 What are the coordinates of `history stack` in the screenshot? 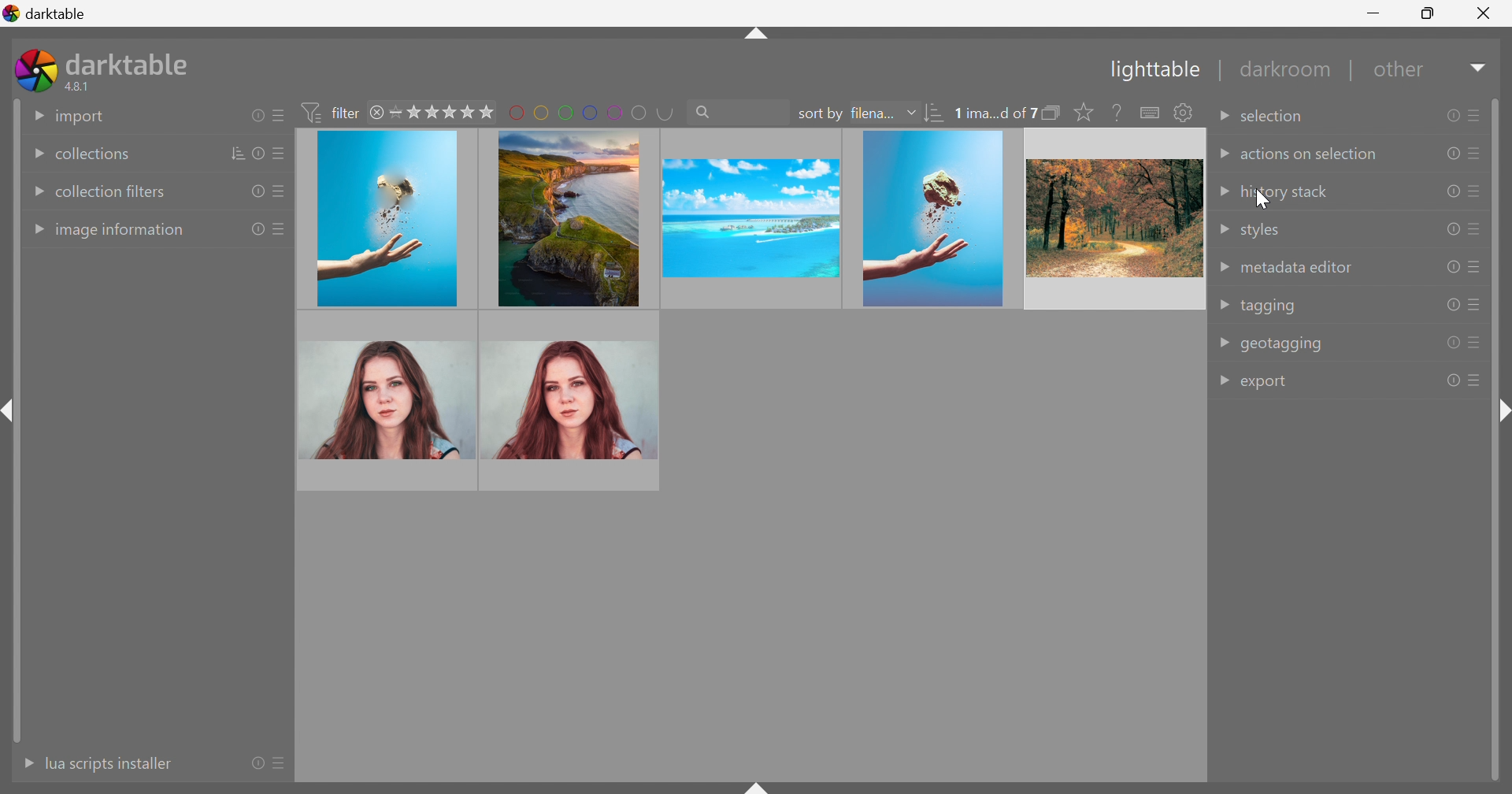 It's located at (1284, 193).